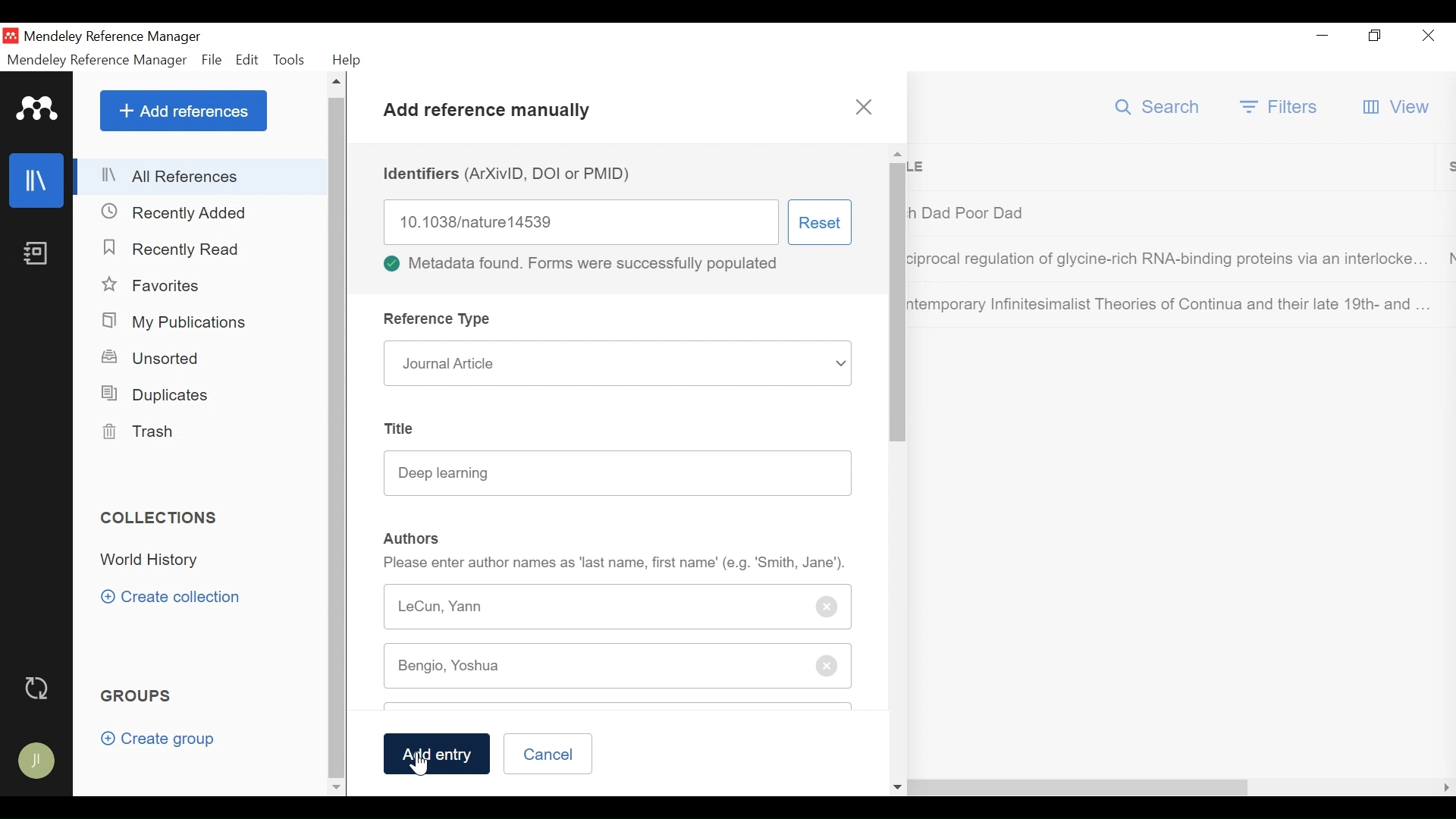 This screenshot has height=819, width=1456. Describe the element at coordinates (1445, 788) in the screenshot. I see `Scroll Right` at that location.